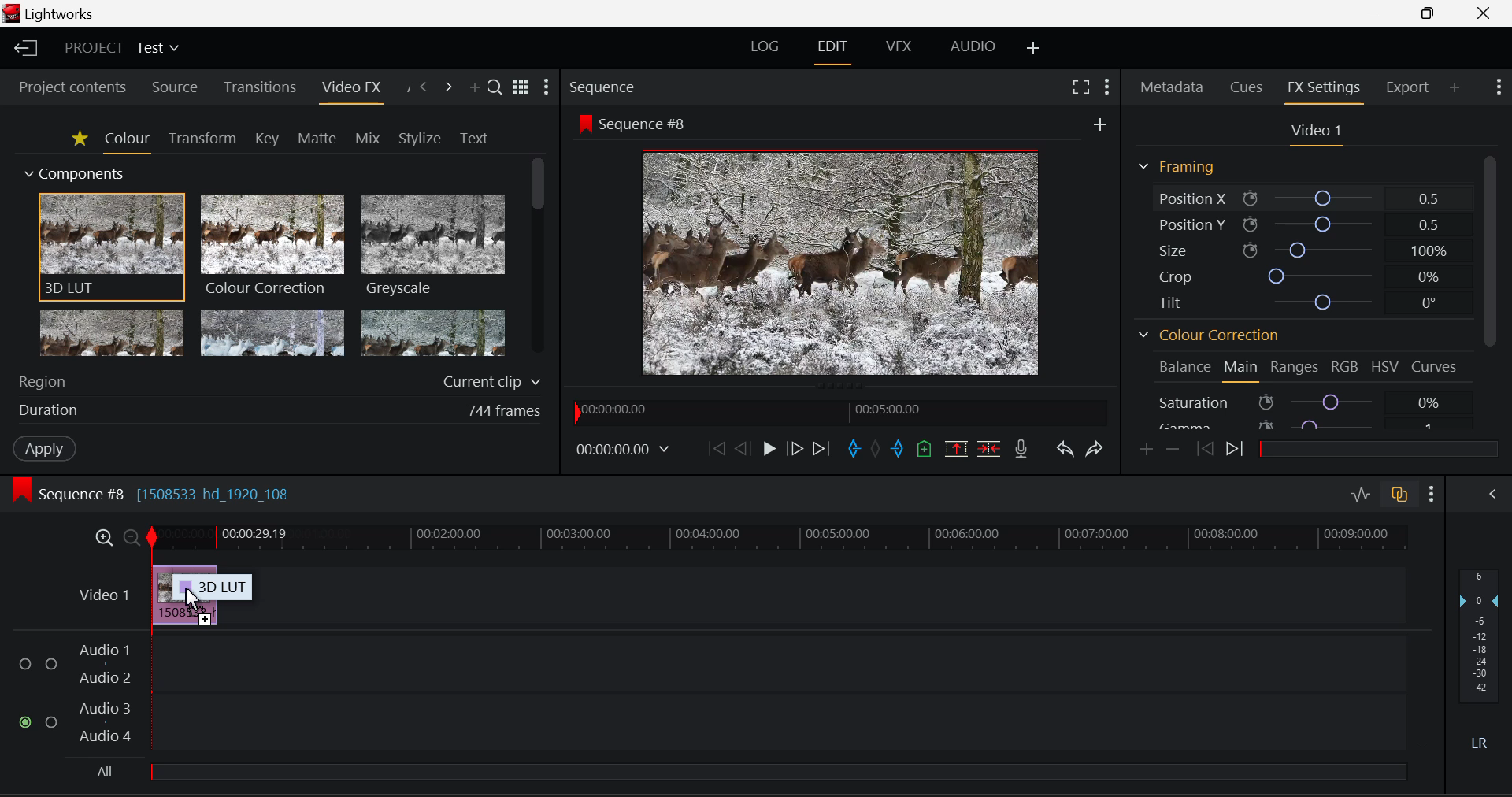  I want to click on FX Settings, so click(1322, 91).